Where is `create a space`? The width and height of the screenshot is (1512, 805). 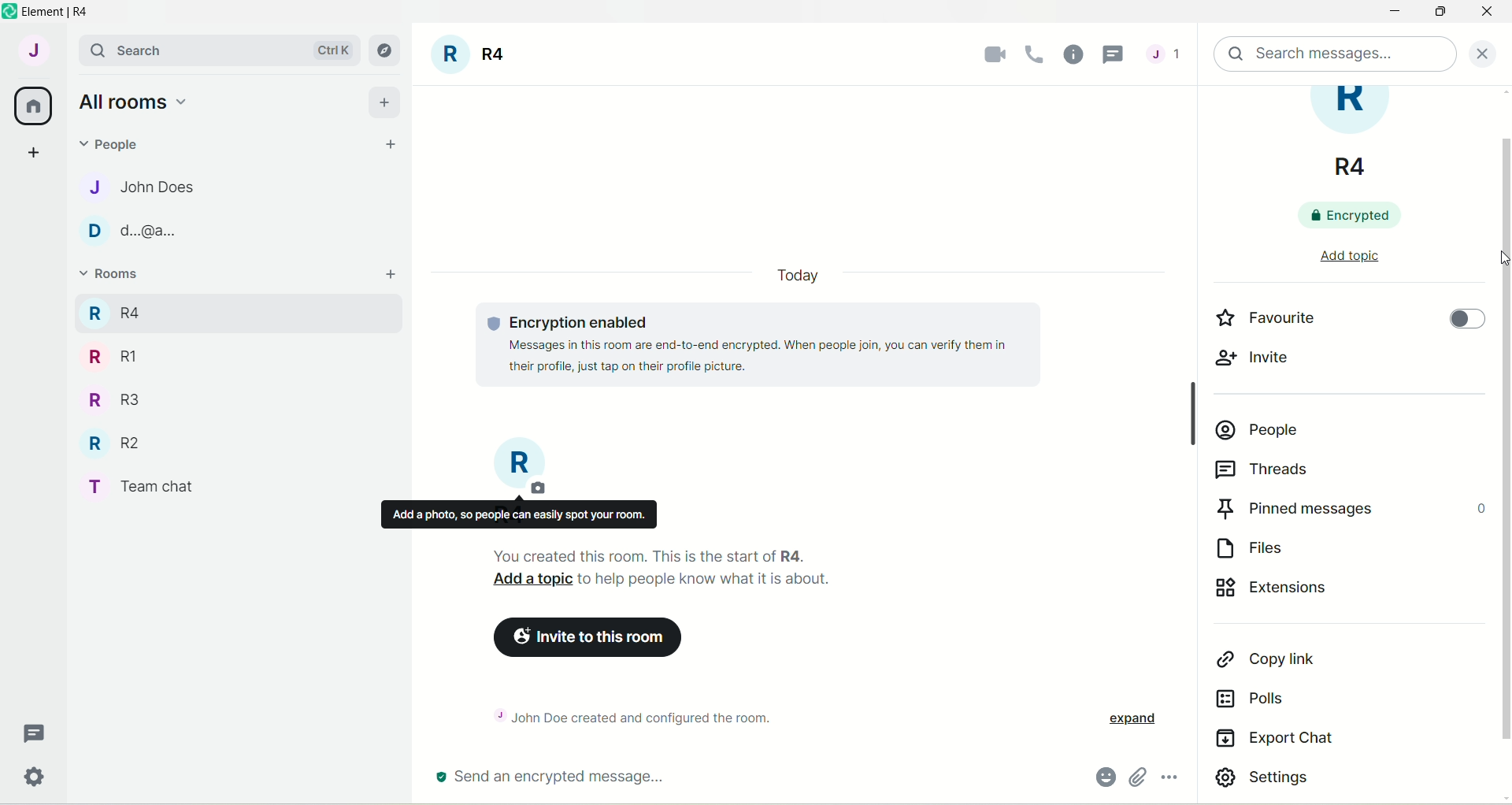
create a space is located at coordinates (32, 151).